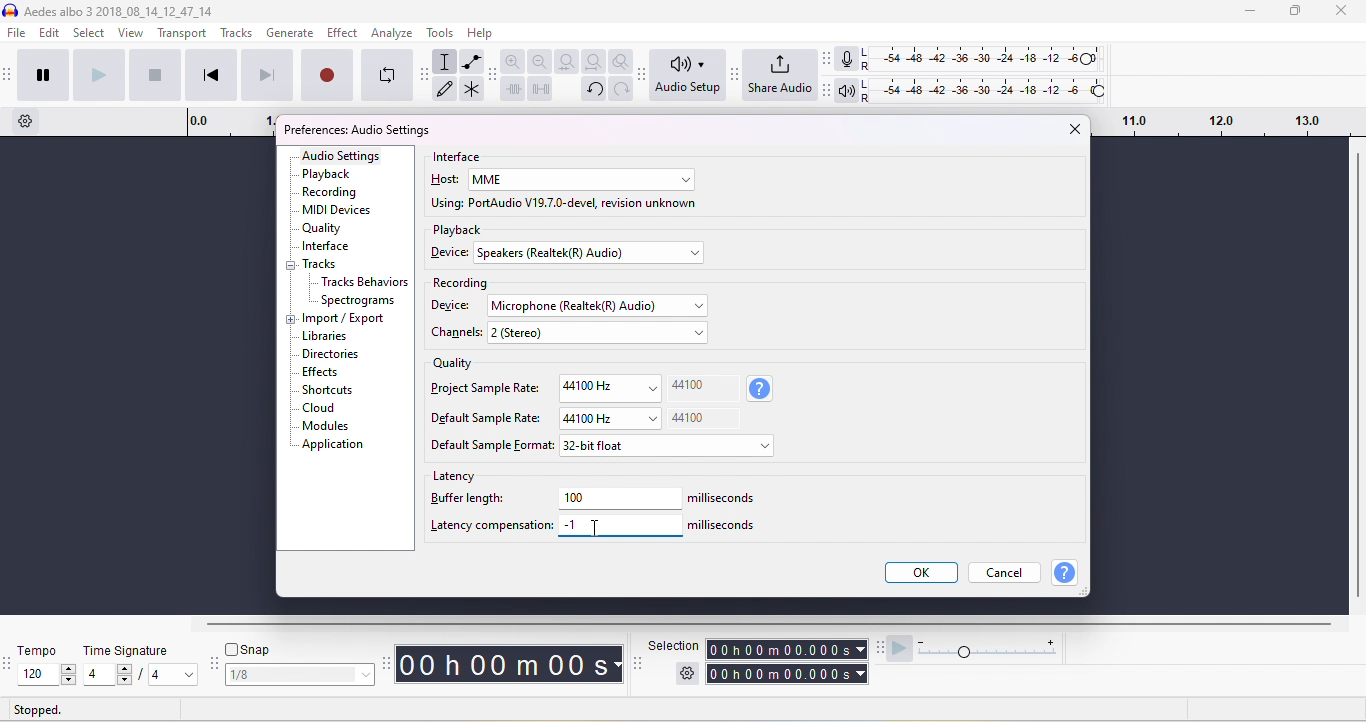 The height and width of the screenshot is (722, 1366). What do you see at coordinates (736, 75) in the screenshot?
I see `Audacity share audio toolbar` at bounding box center [736, 75].